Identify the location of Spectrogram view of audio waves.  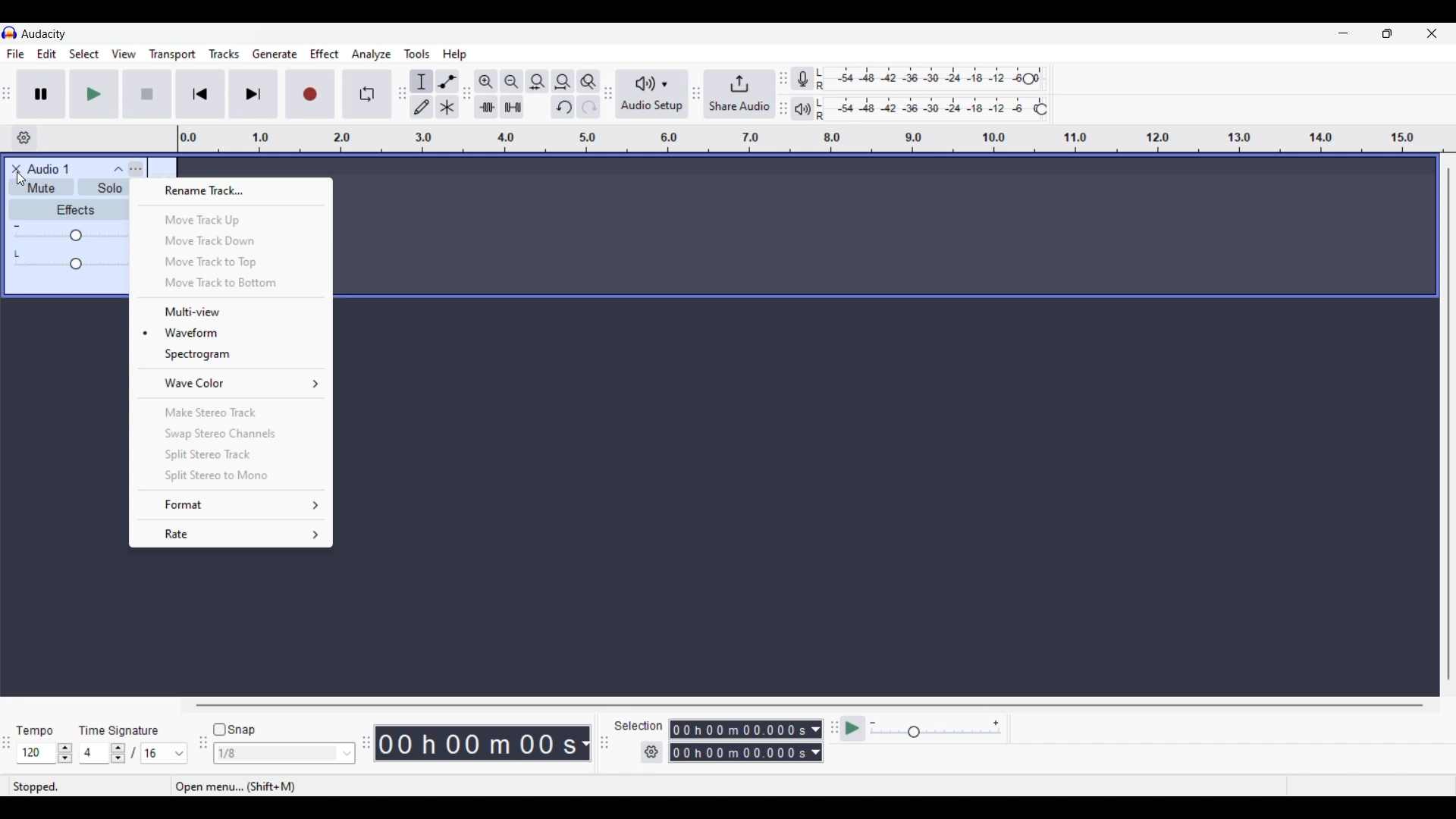
(231, 354).